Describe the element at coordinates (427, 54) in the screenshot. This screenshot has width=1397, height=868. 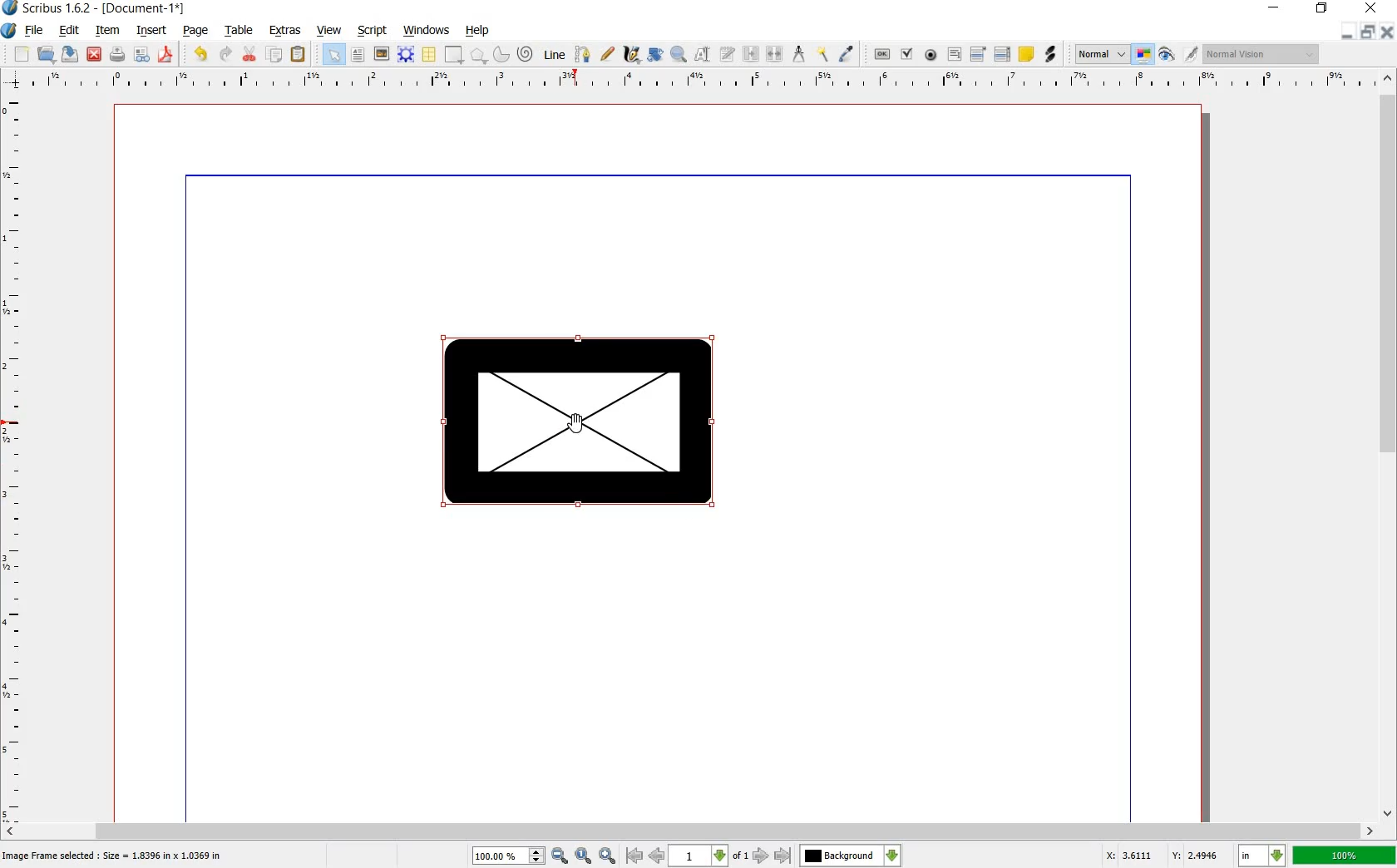
I see `table` at that location.